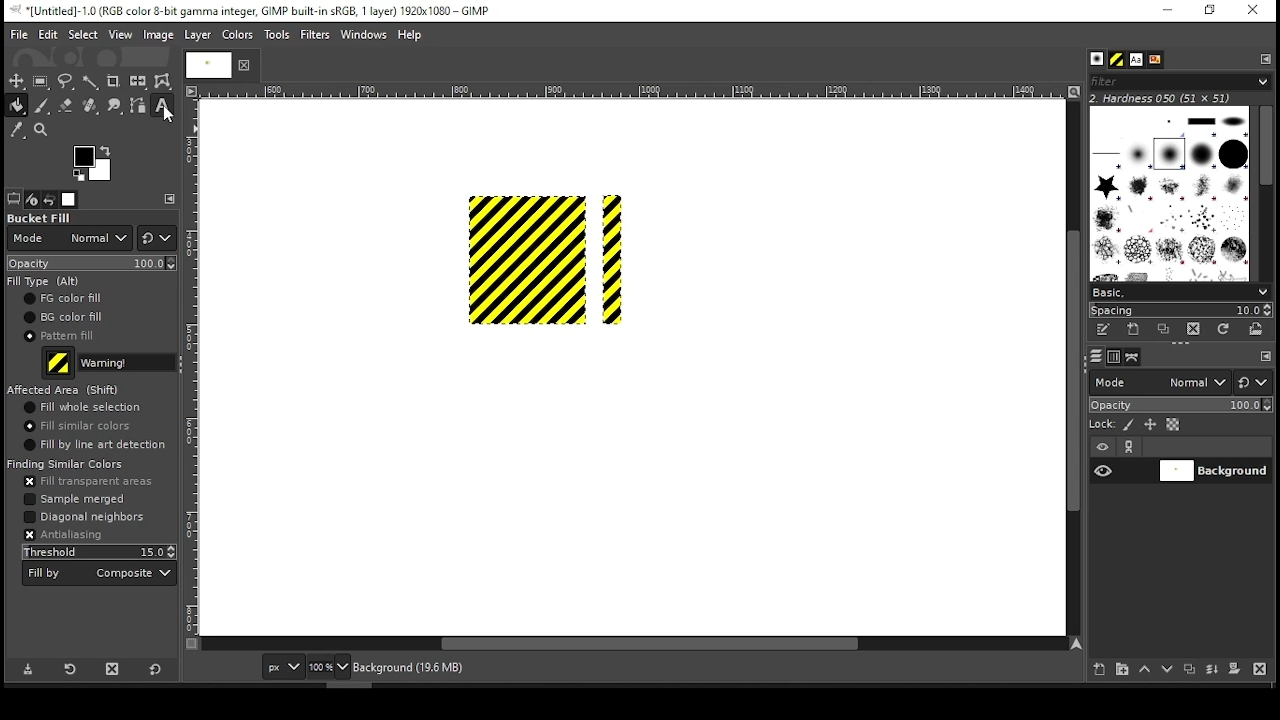 The image size is (1280, 720). I want to click on scroll bar, so click(634, 645).